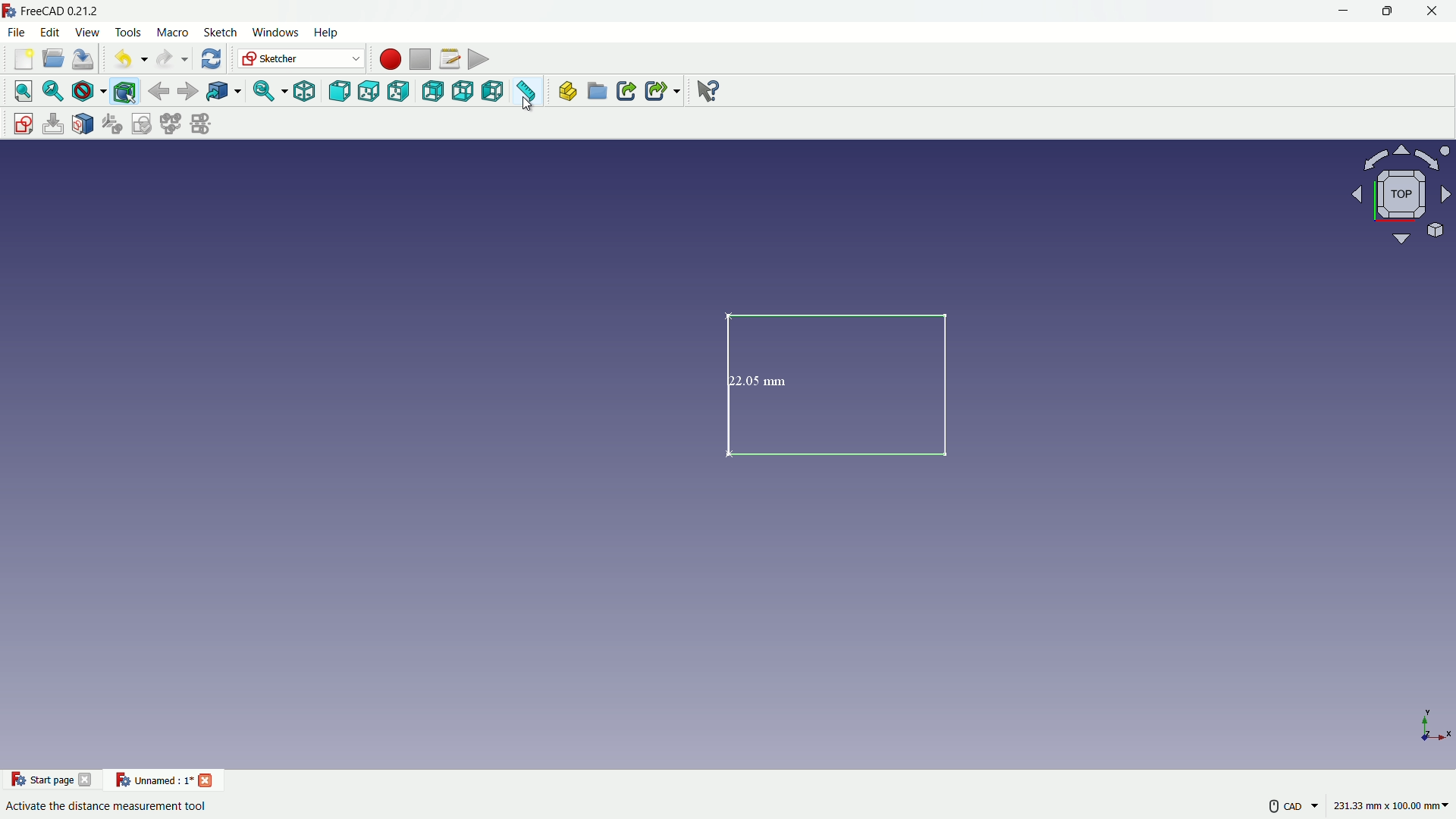  What do you see at coordinates (127, 32) in the screenshot?
I see `tools menu` at bounding box center [127, 32].